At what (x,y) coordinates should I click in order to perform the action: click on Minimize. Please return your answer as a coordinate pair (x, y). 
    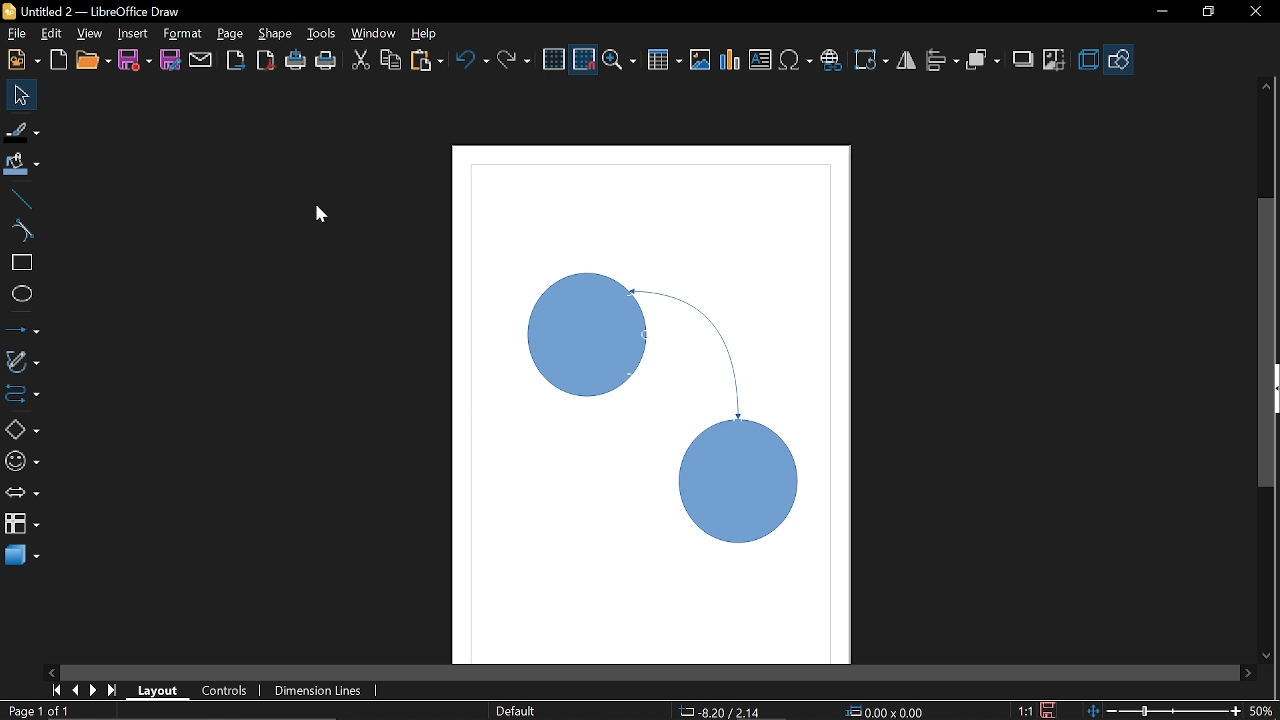
    Looking at the image, I should click on (1157, 15).